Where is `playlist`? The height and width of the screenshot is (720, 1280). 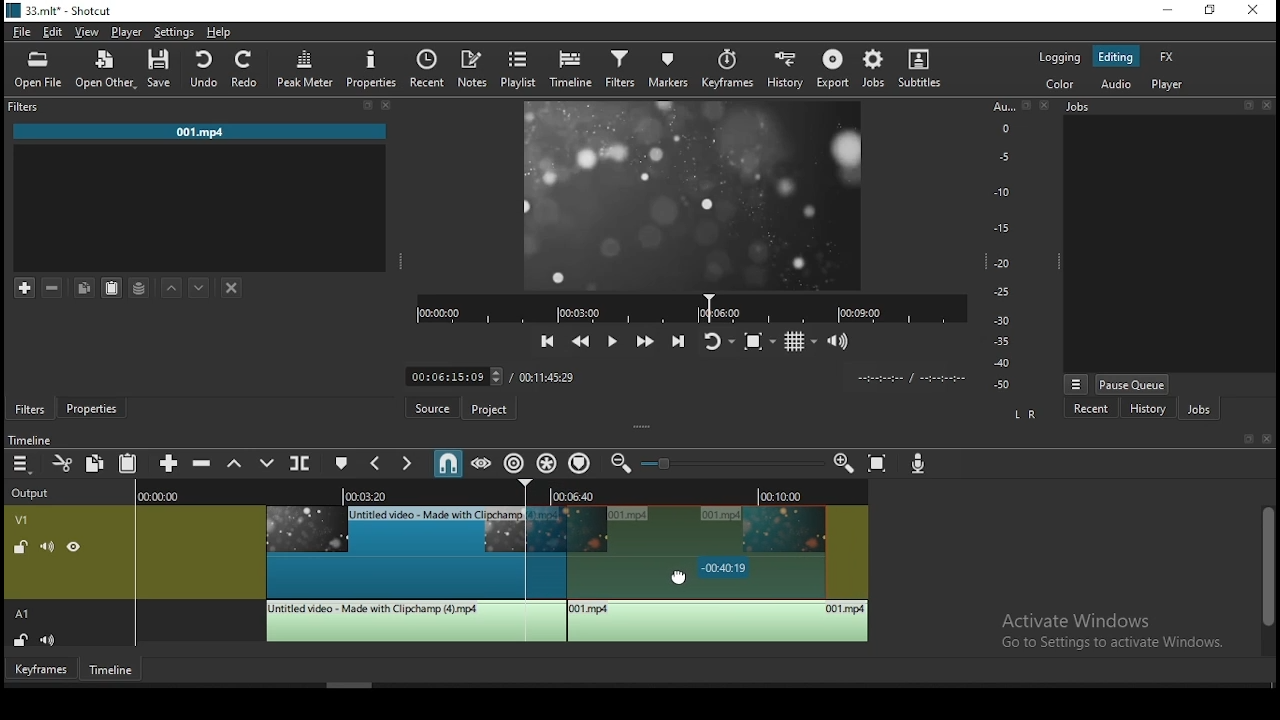
playlist is located at coordinates (517, 67).